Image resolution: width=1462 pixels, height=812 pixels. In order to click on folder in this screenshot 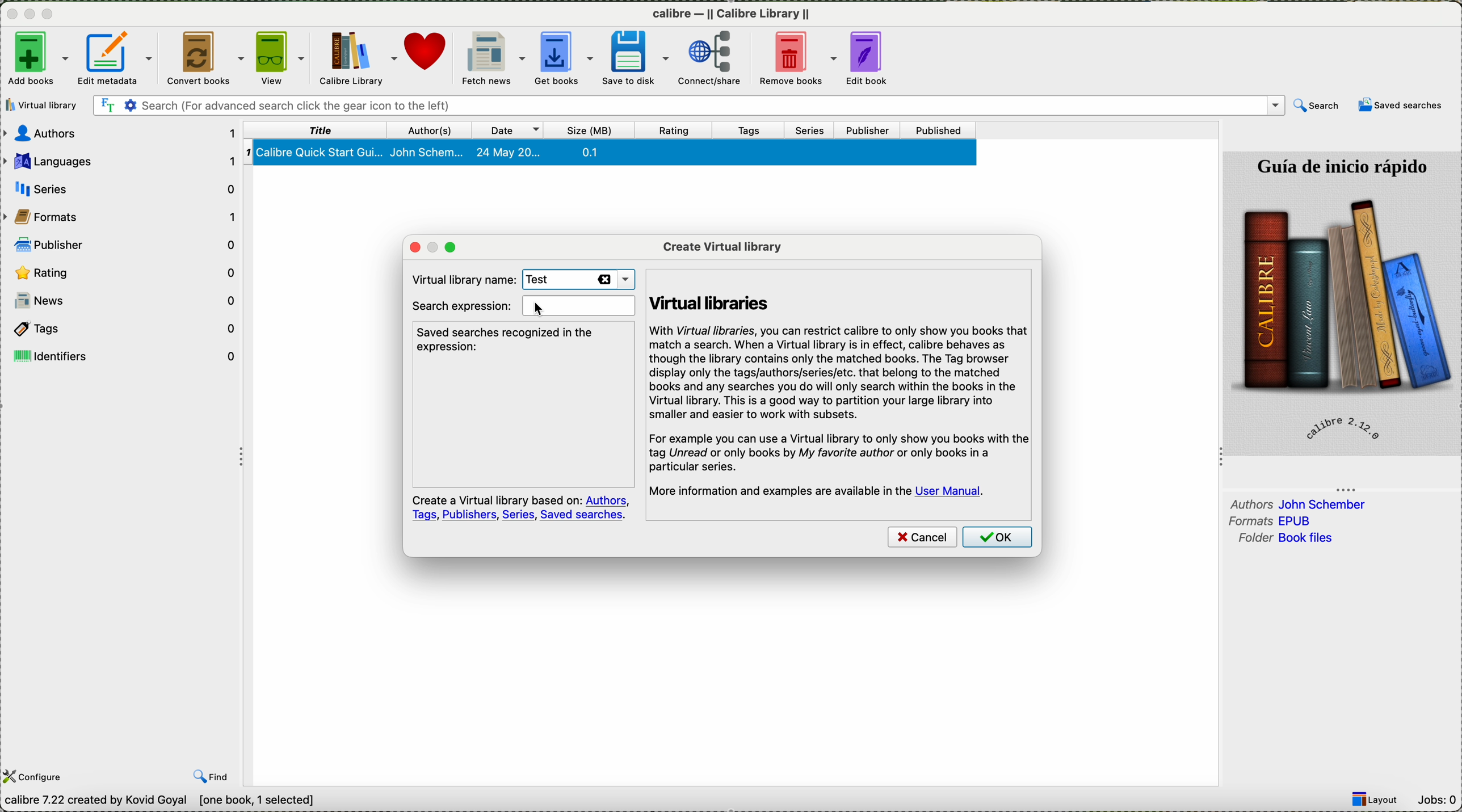, I will do `click(1283, 538)`.